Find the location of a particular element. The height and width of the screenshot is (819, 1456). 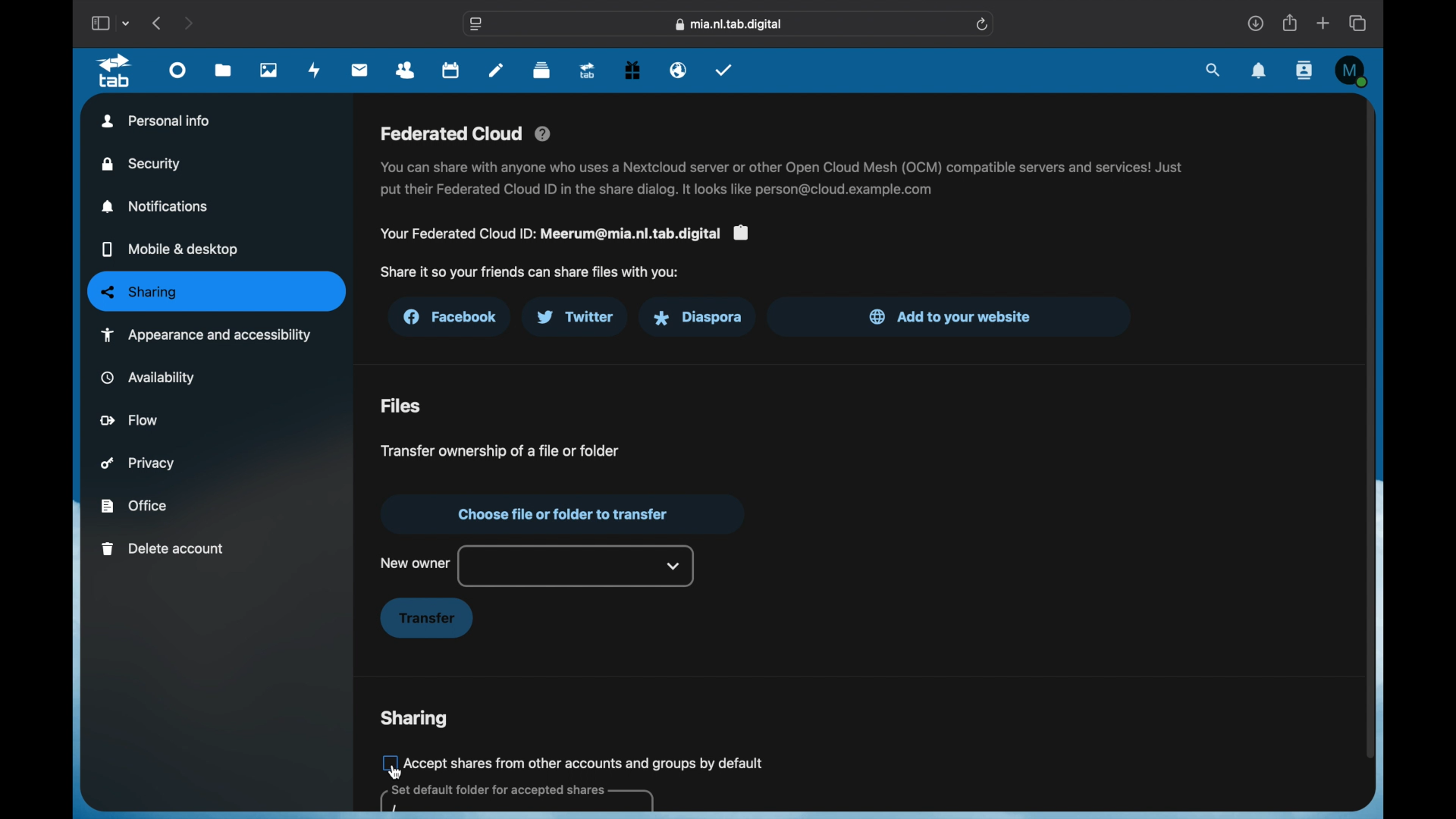

tab is located at coordinates (115, 71).